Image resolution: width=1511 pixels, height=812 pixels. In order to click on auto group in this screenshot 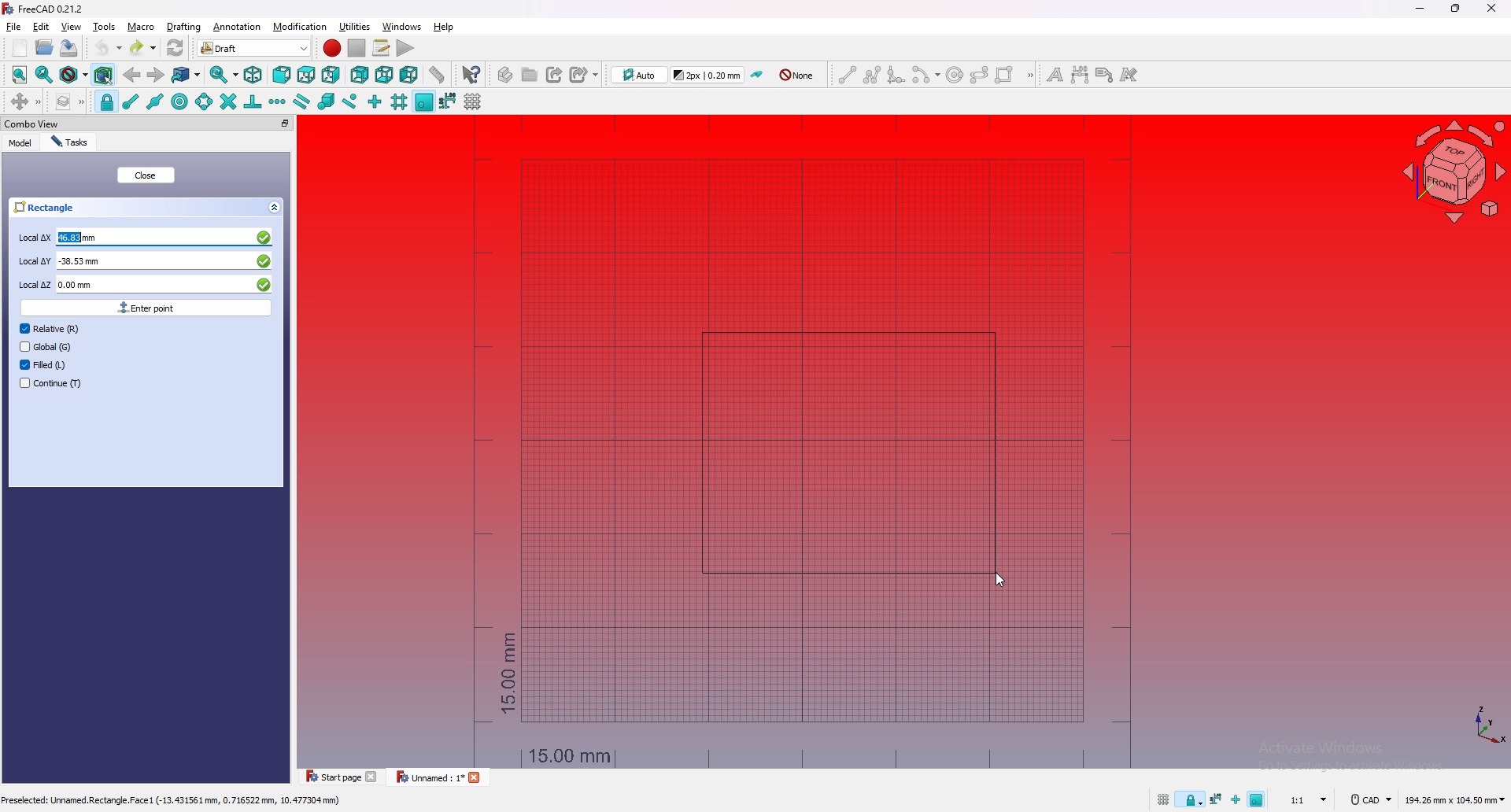, I will do `click(797, 76)`.